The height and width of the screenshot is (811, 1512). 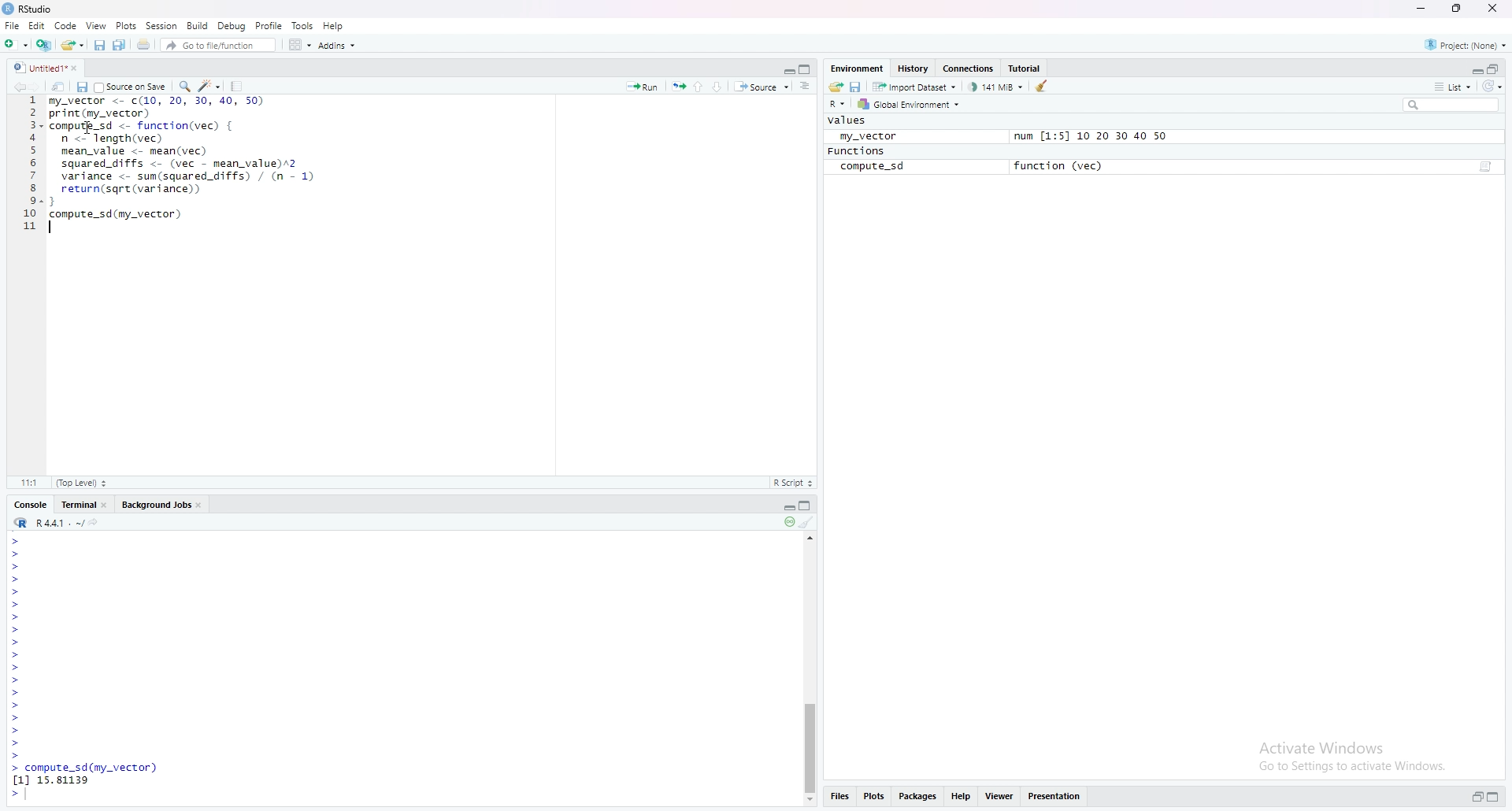 What do you see at coordinates (17, 554) in the screenshot?
I see `Prompt cursor` at bounding box center [17, 554].